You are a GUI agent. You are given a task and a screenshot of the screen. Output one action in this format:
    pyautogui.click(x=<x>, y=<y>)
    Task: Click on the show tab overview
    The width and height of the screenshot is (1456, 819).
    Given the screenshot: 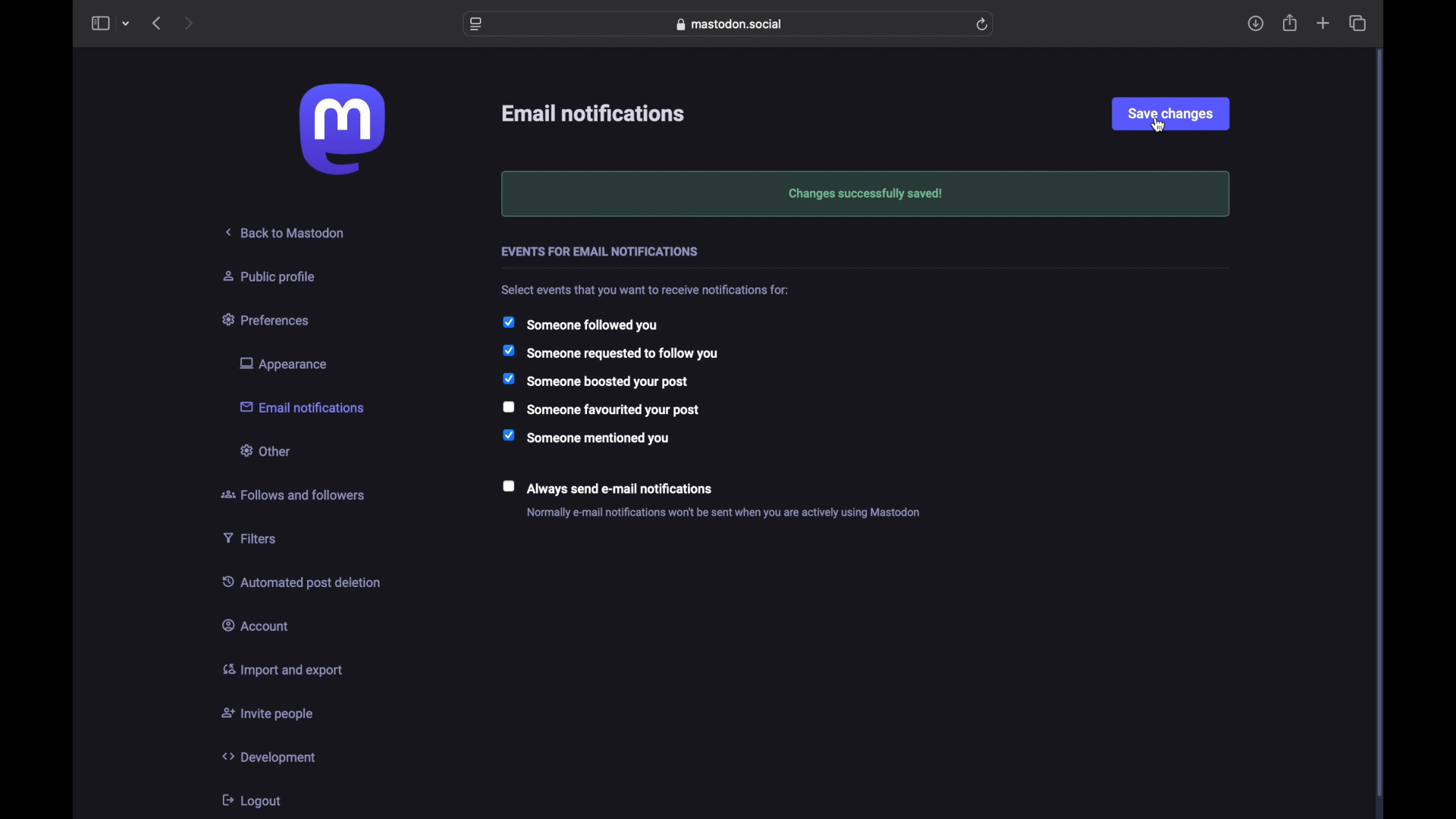 What is the action you would take?
    pyautogui.click(x=1357, y=23)
    